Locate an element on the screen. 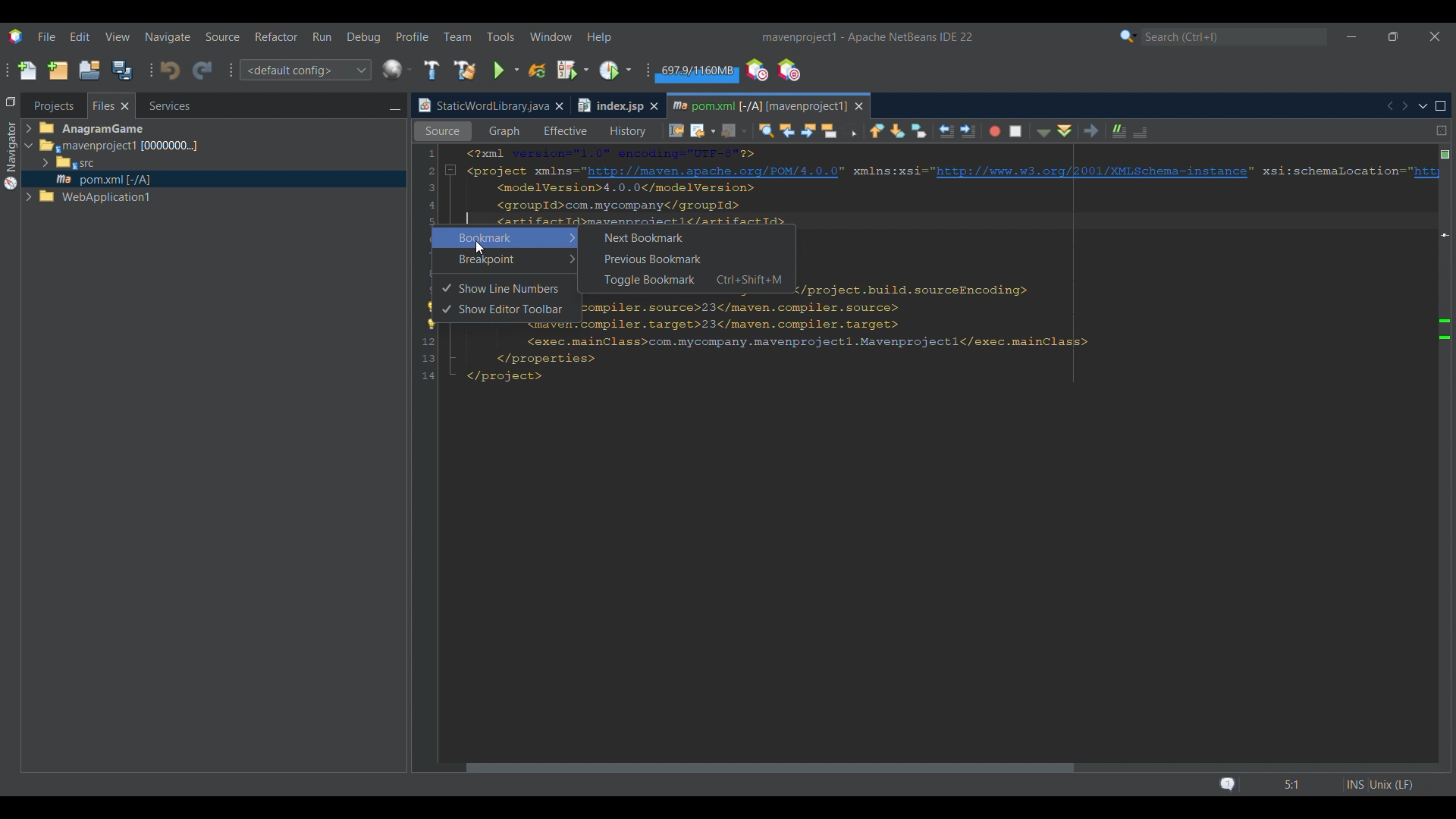  Start macro recording is located at coordinates (993, 132).